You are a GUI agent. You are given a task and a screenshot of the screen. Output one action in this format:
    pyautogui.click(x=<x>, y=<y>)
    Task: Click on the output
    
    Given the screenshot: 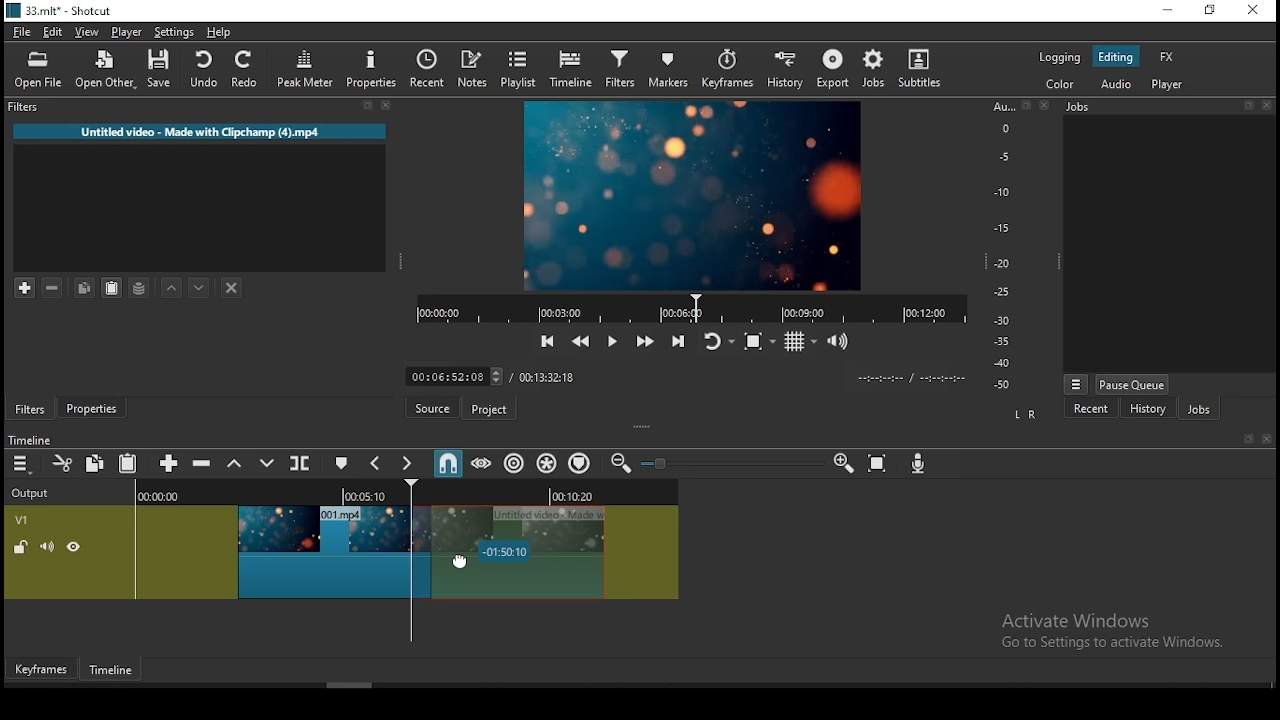 What is the action you would take?
    pyautogui.click(x=33, y=495)
    